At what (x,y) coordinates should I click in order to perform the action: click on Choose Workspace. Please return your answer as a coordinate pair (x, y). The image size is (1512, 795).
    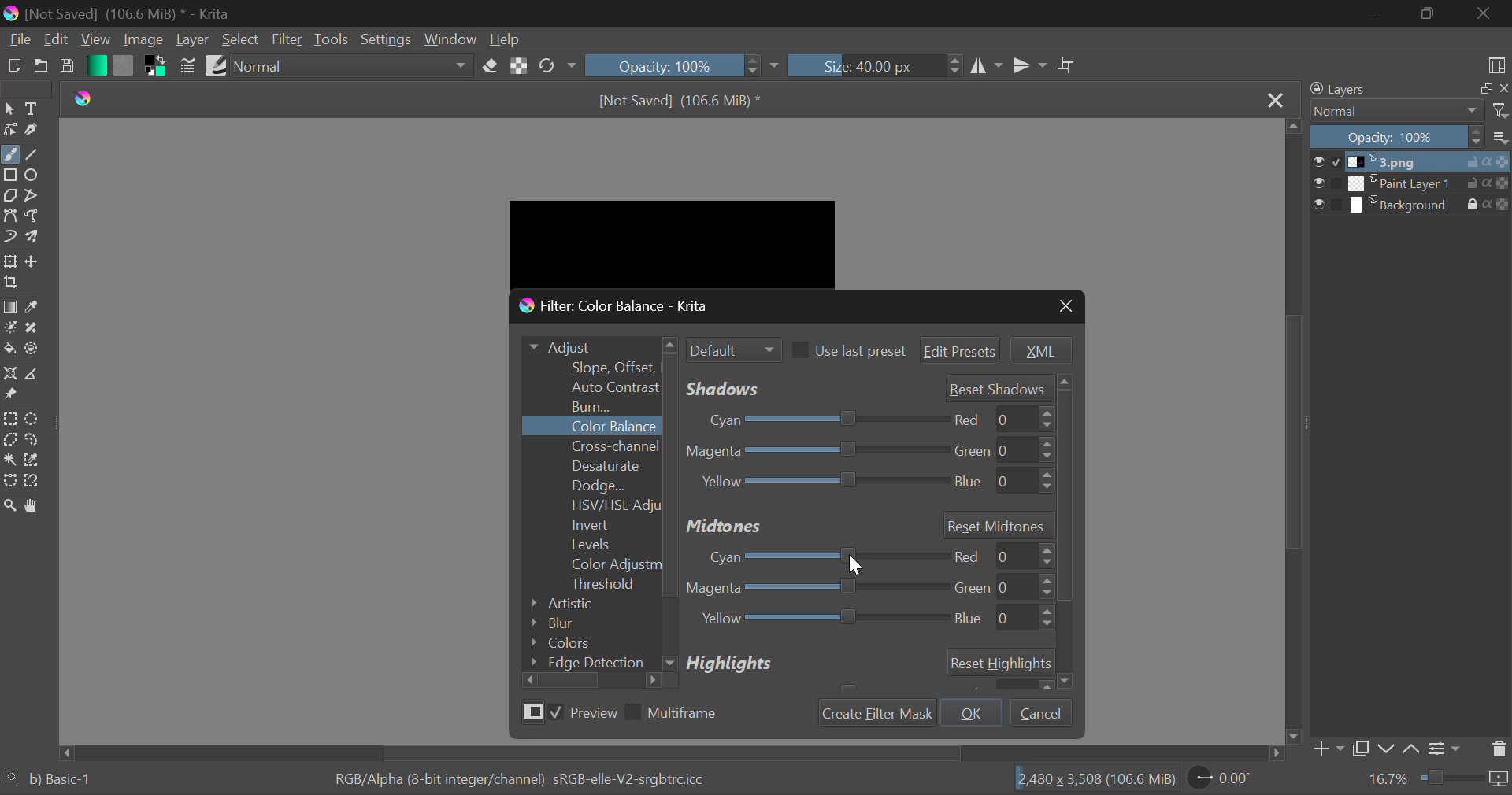
    Looking at the image, I should click on (1498, 64).